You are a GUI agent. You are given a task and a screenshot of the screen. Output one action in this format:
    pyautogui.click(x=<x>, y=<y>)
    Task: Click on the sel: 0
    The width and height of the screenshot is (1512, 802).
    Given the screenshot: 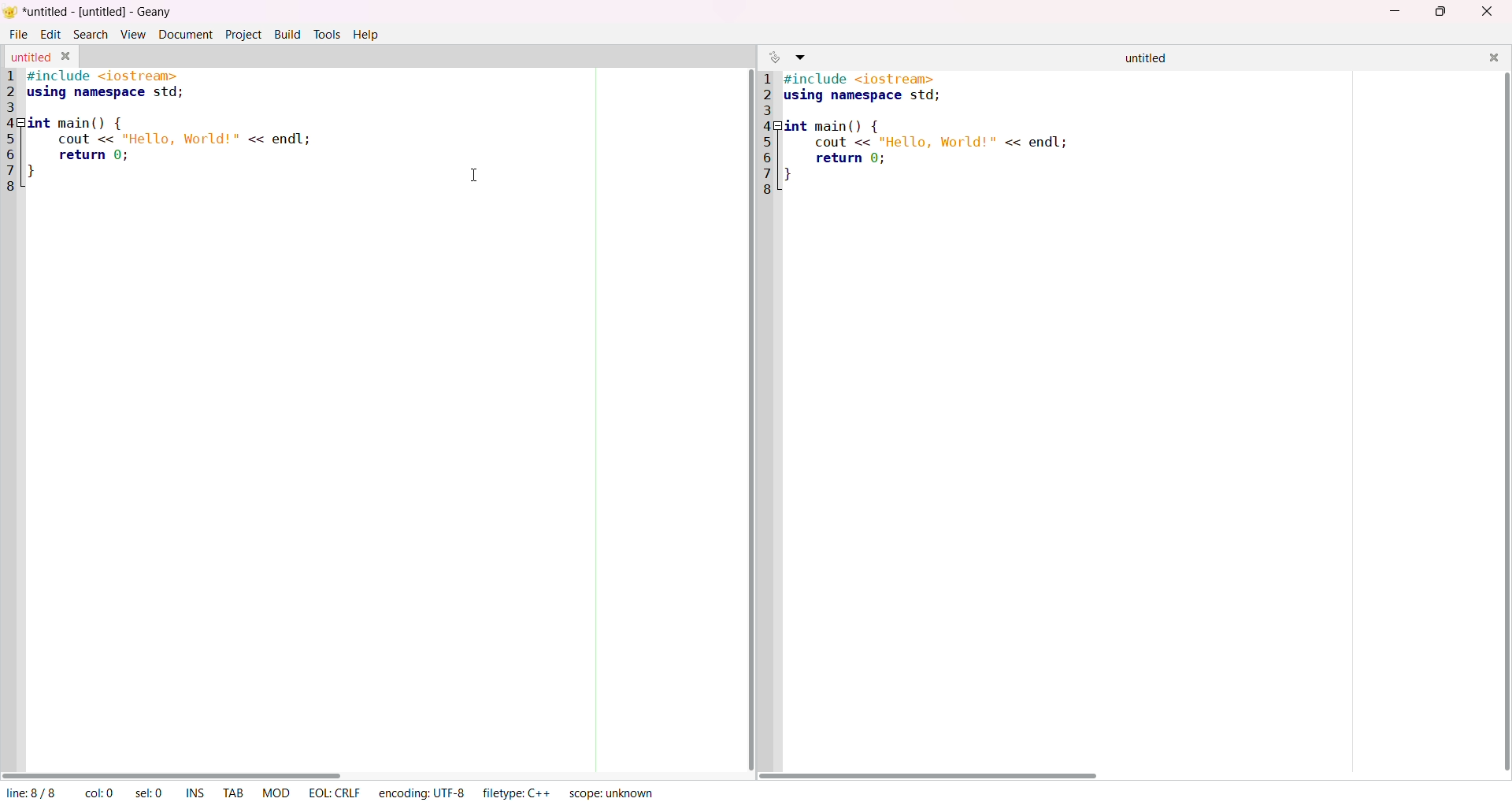 What is the action you would take?
    pyautogui.click(x=152, y=793)
    